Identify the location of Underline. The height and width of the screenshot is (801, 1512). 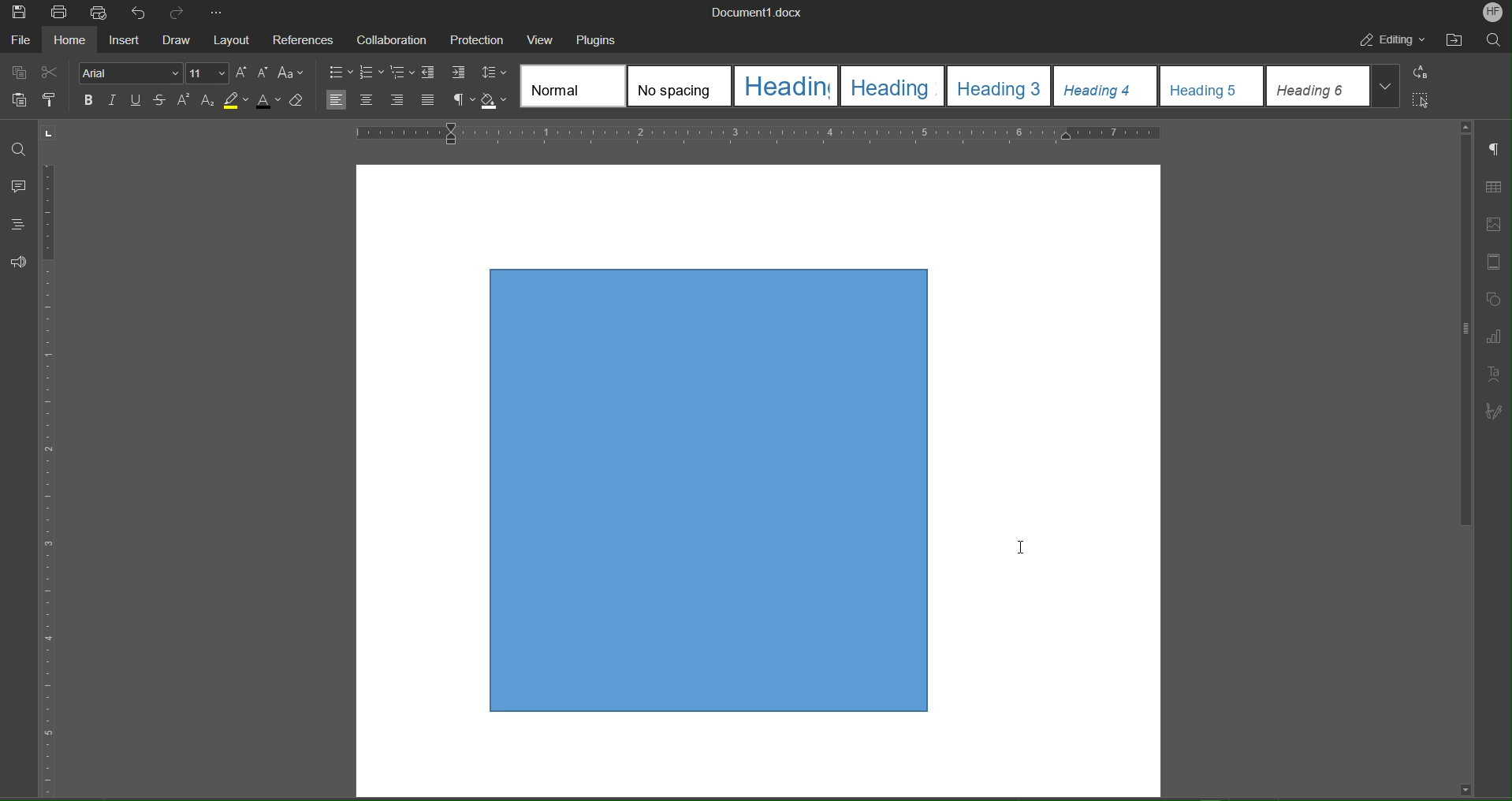
(140, 100).